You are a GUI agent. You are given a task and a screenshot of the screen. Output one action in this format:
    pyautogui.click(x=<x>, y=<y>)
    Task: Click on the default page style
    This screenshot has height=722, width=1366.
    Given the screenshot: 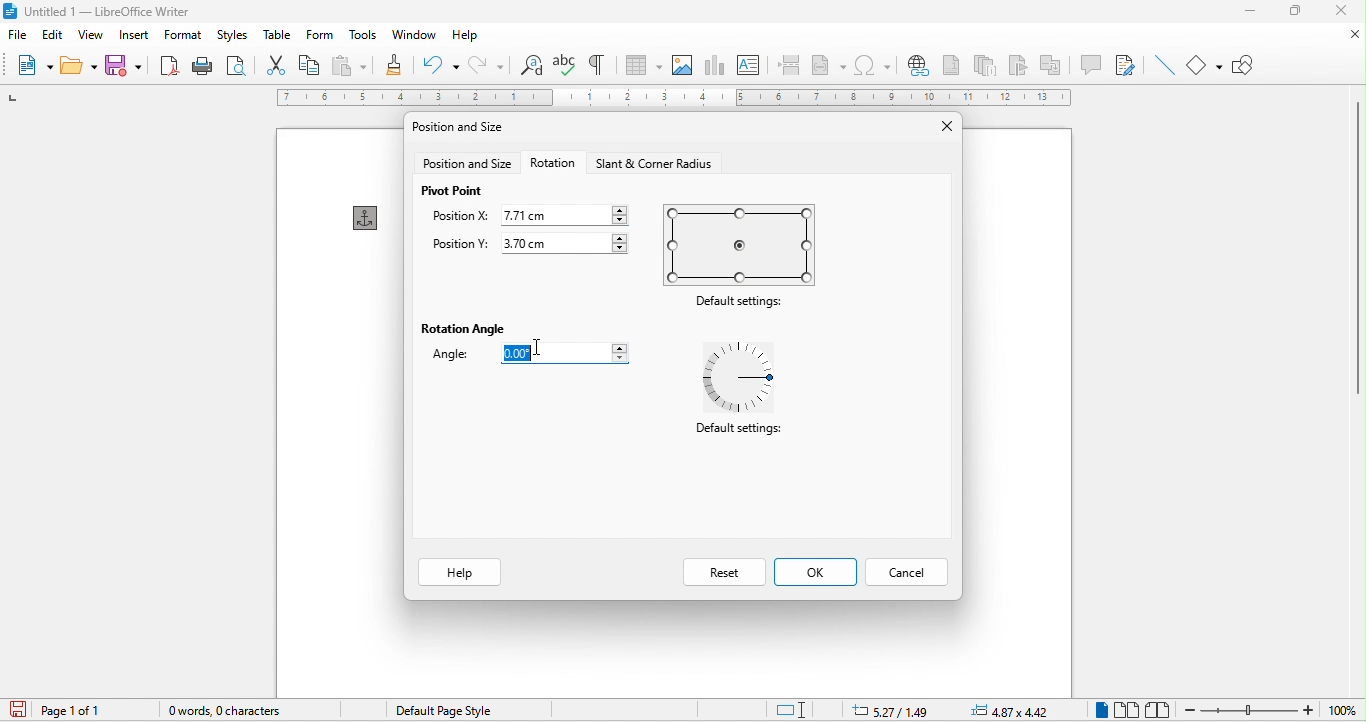 What is the action you would take?
    pyautogui.click(x=438, y=712)
    